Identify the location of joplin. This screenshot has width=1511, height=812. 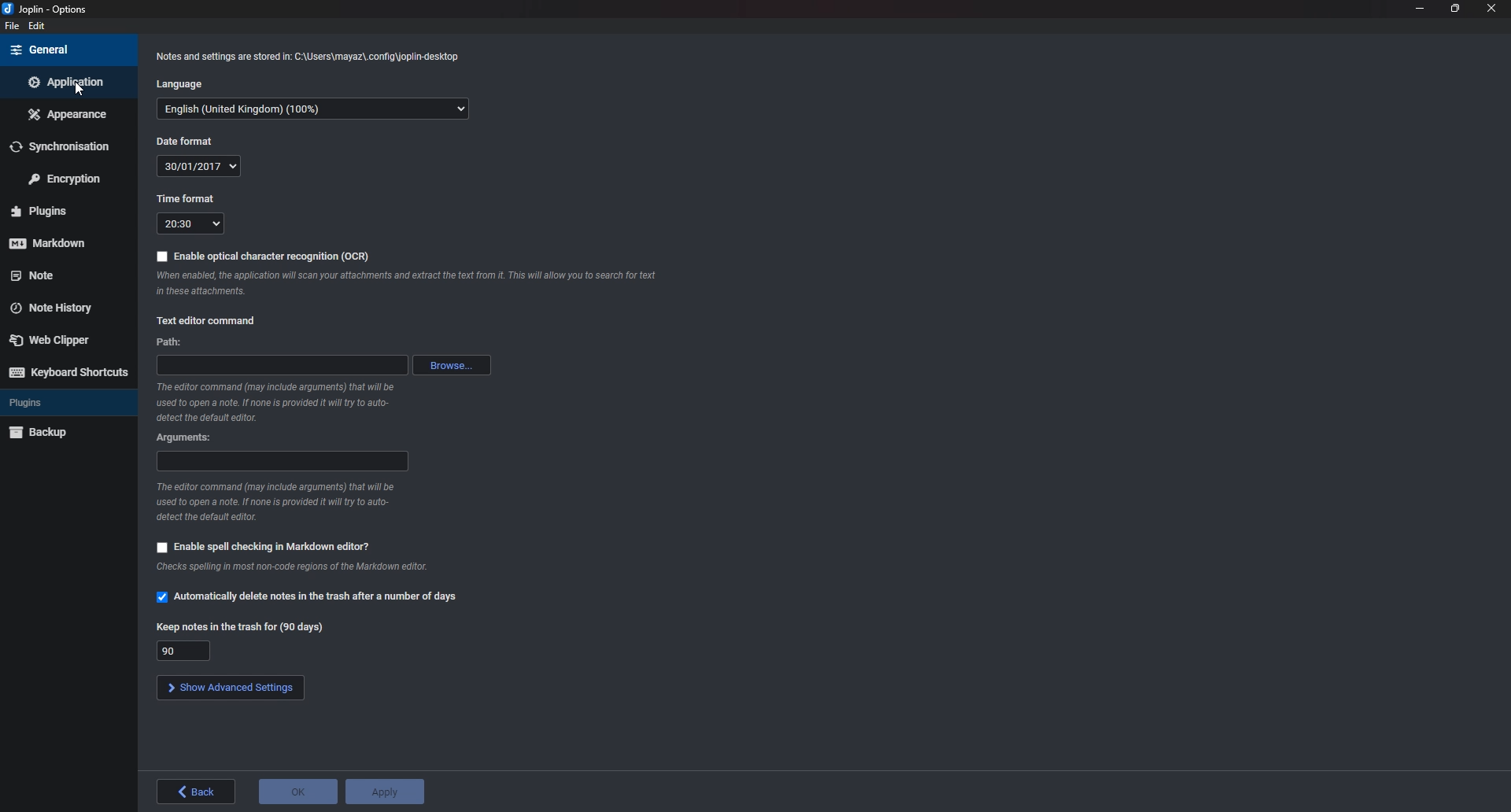
(50, 8).